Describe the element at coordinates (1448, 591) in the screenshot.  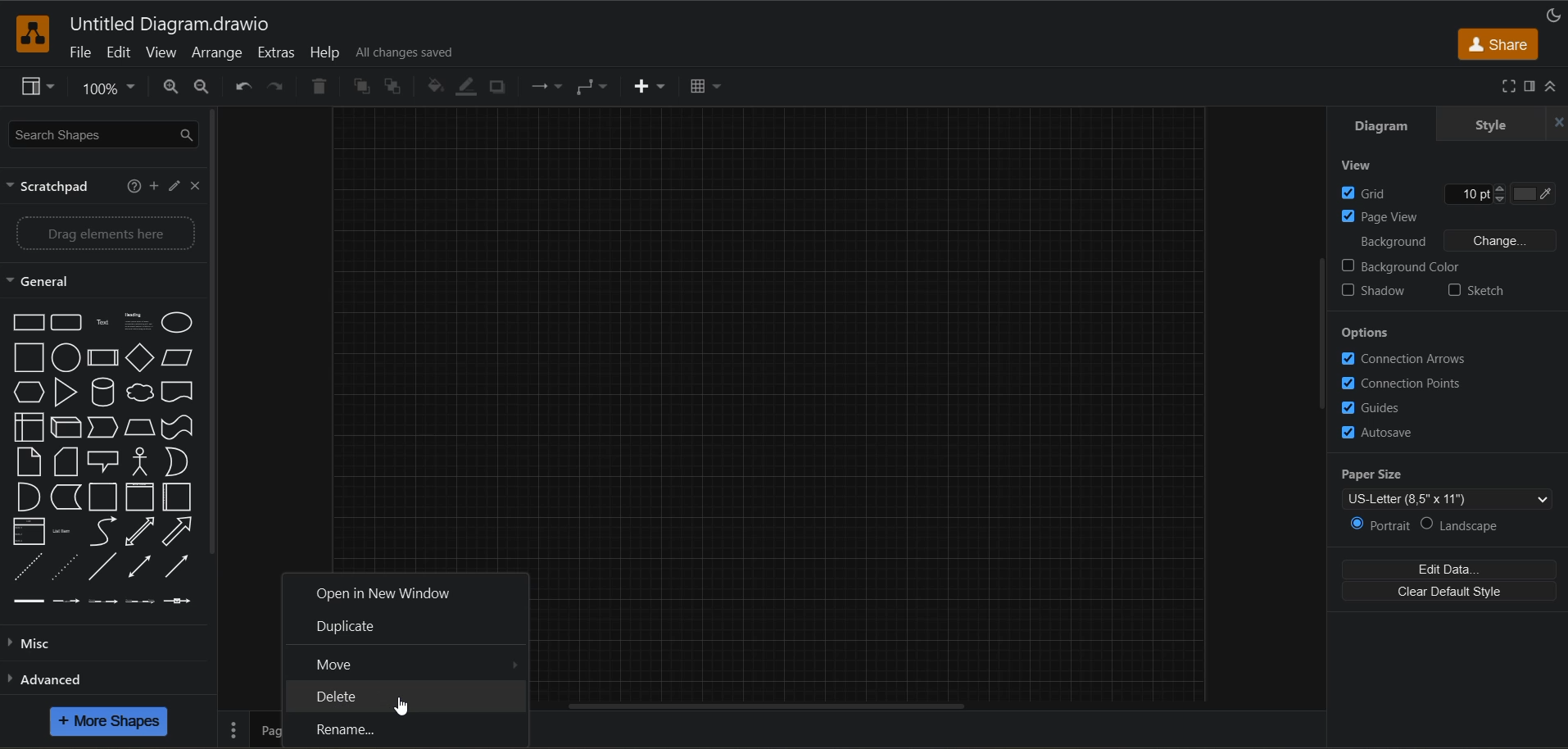
I see `clear default style` at that location.